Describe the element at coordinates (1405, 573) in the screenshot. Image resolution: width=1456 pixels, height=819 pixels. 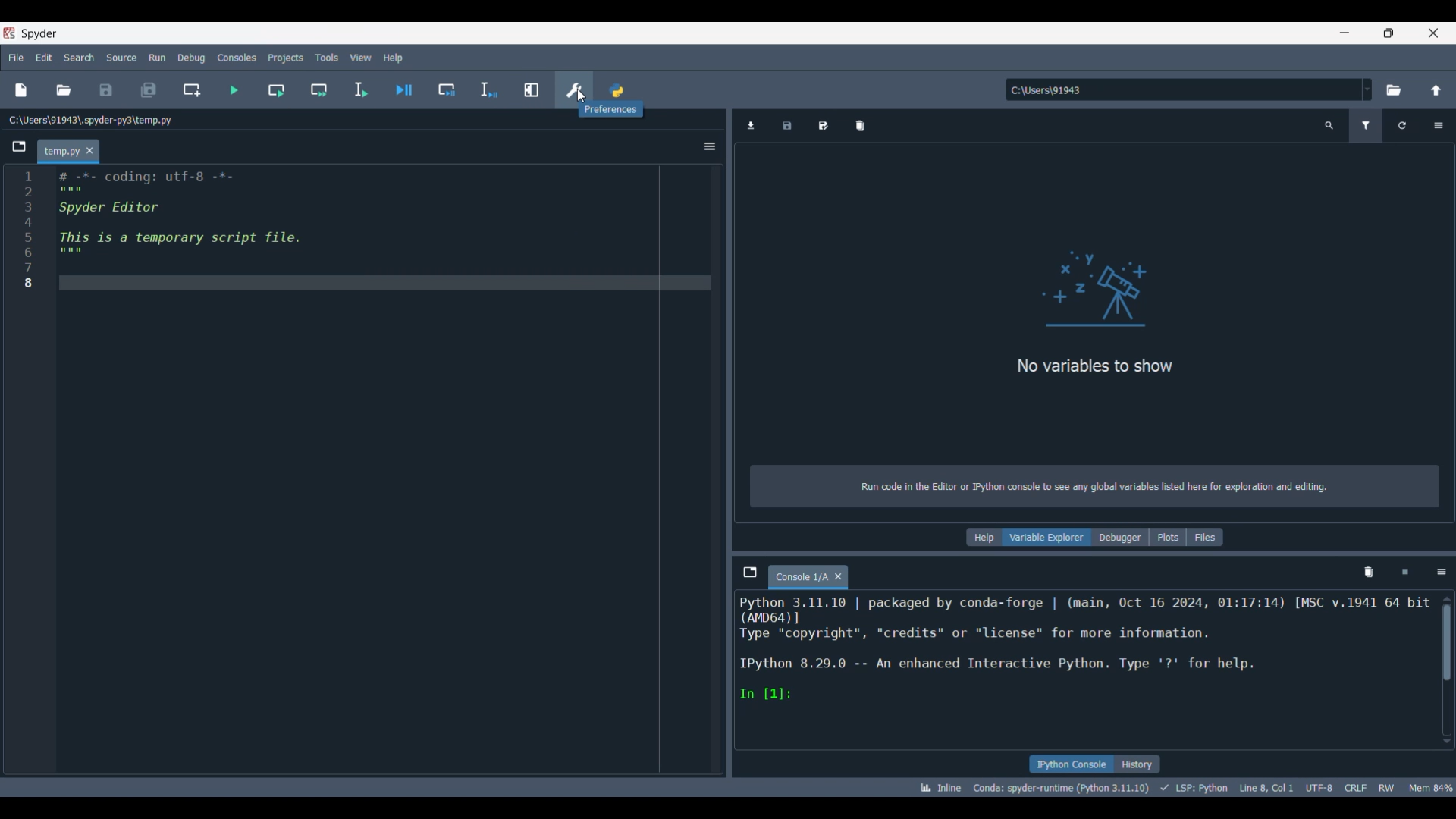
I see `Interrupt kernel` at that location.